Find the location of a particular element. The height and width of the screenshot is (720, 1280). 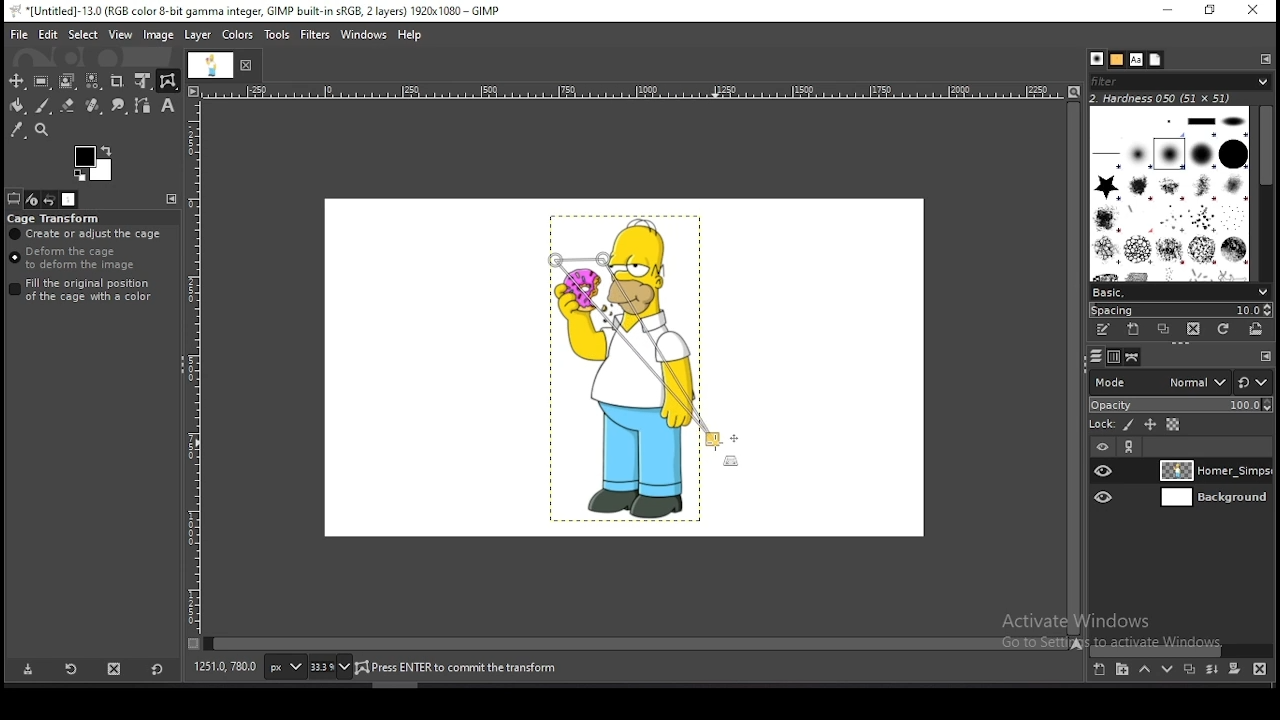

layer visibility on/off is located at coordinates (1105, 497).